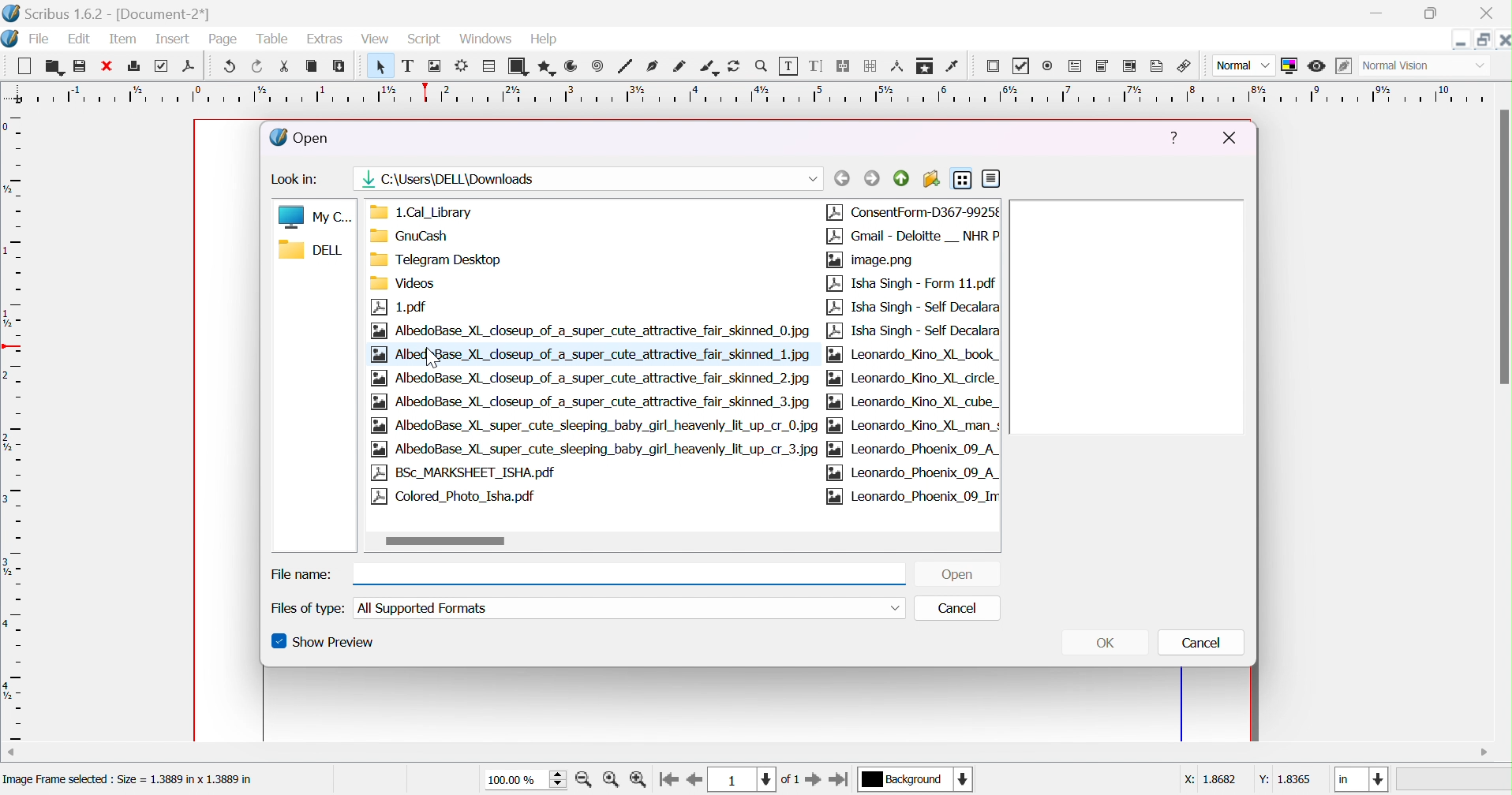  Describe the element at coordinates (960, 572) in the screenshot. I see `open` at that location.